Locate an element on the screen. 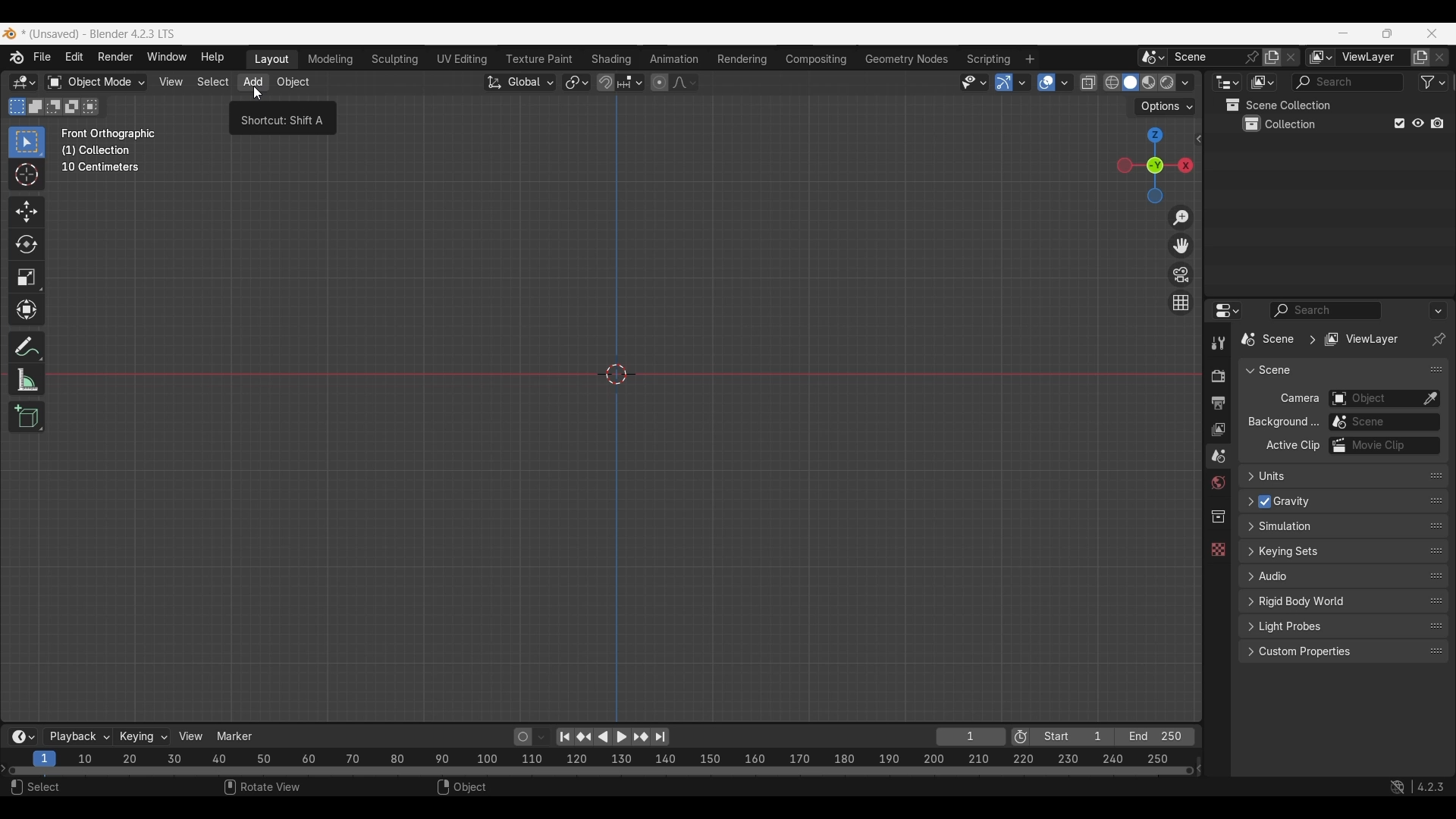 The image size is (1456, 819). Delete scene is located at coordinates (1291, 58).